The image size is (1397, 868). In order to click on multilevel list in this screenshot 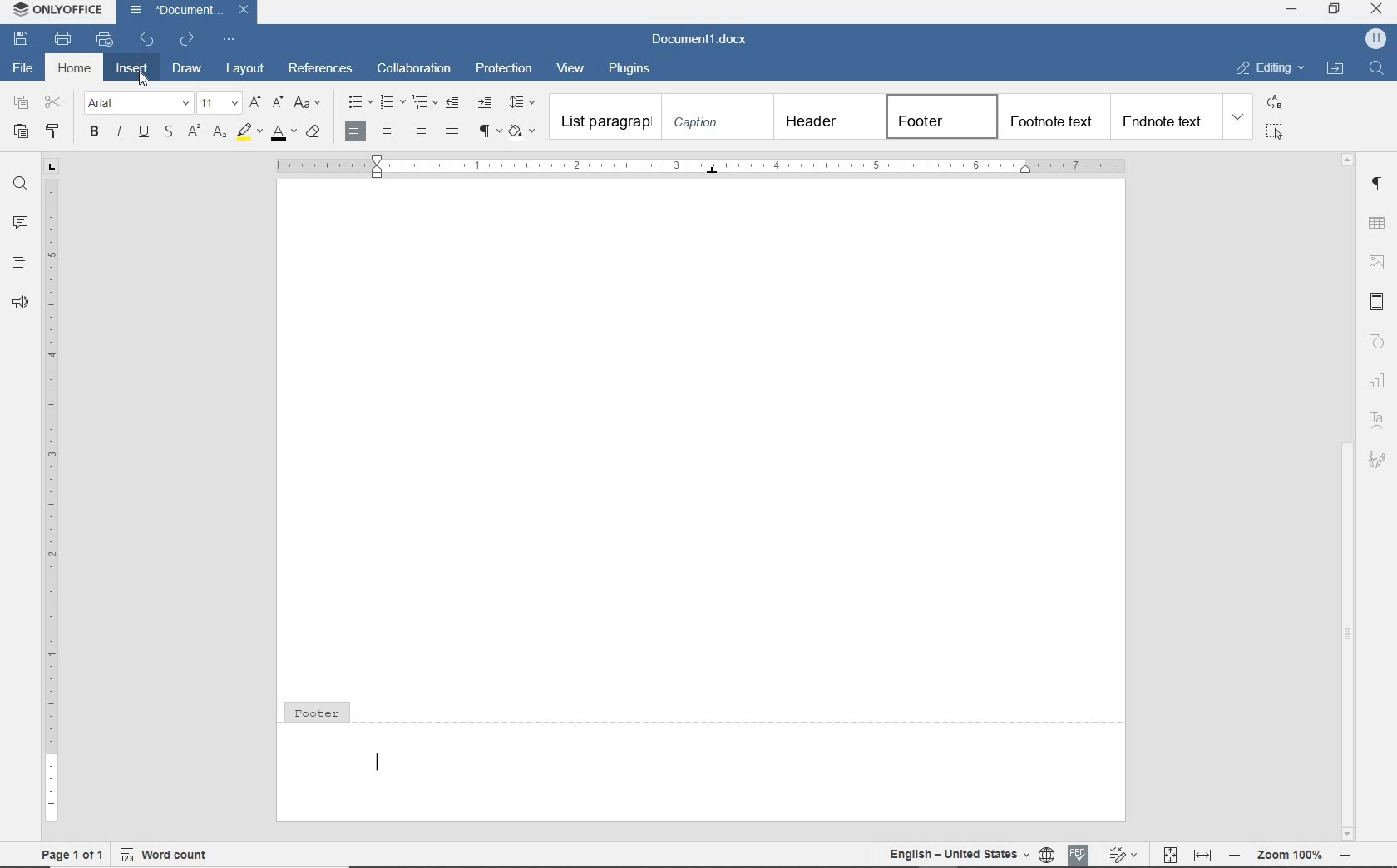, I will do `click(426, 104)`.